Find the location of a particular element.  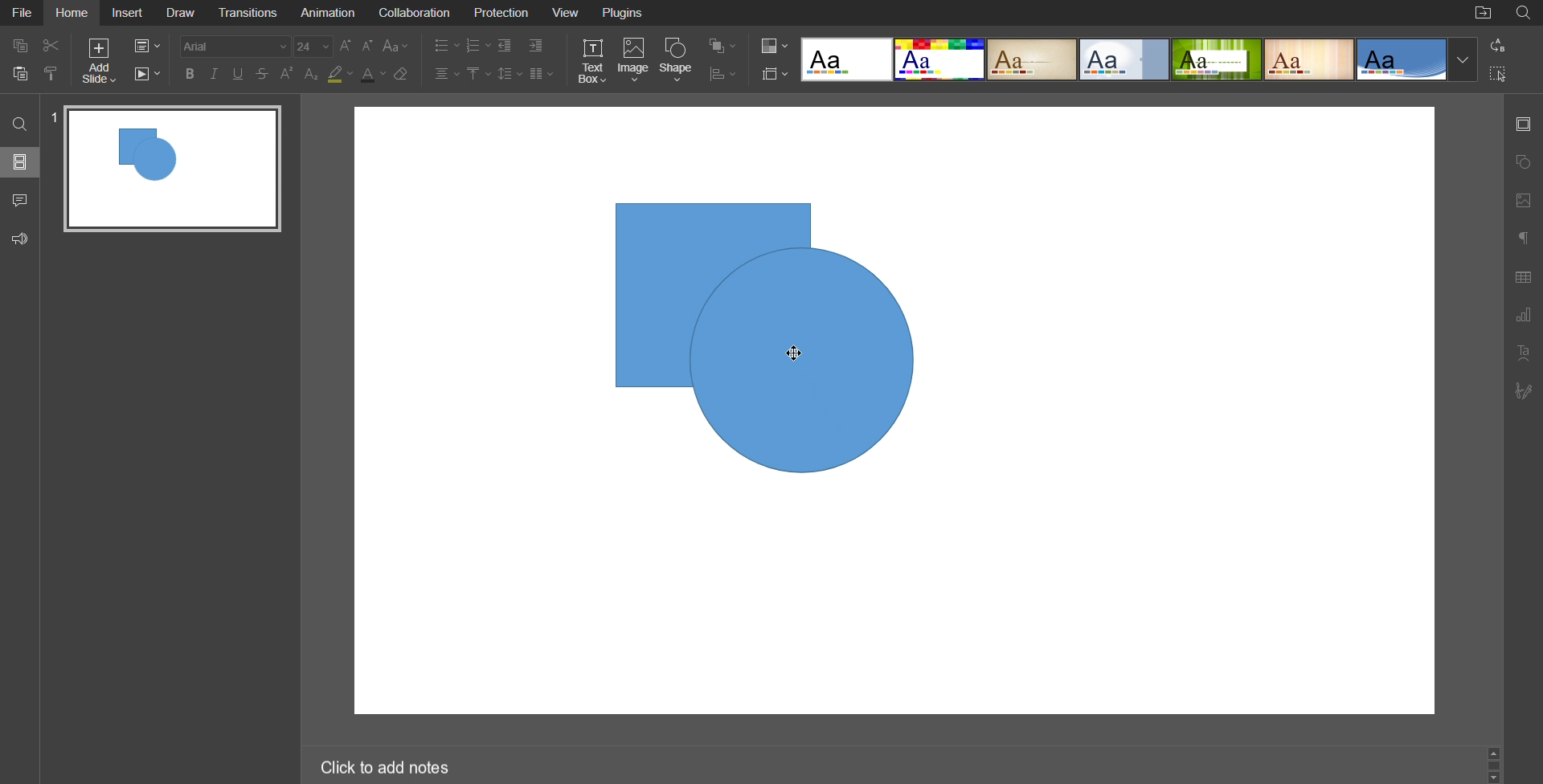

Slides is located at coordinates (18, 161).